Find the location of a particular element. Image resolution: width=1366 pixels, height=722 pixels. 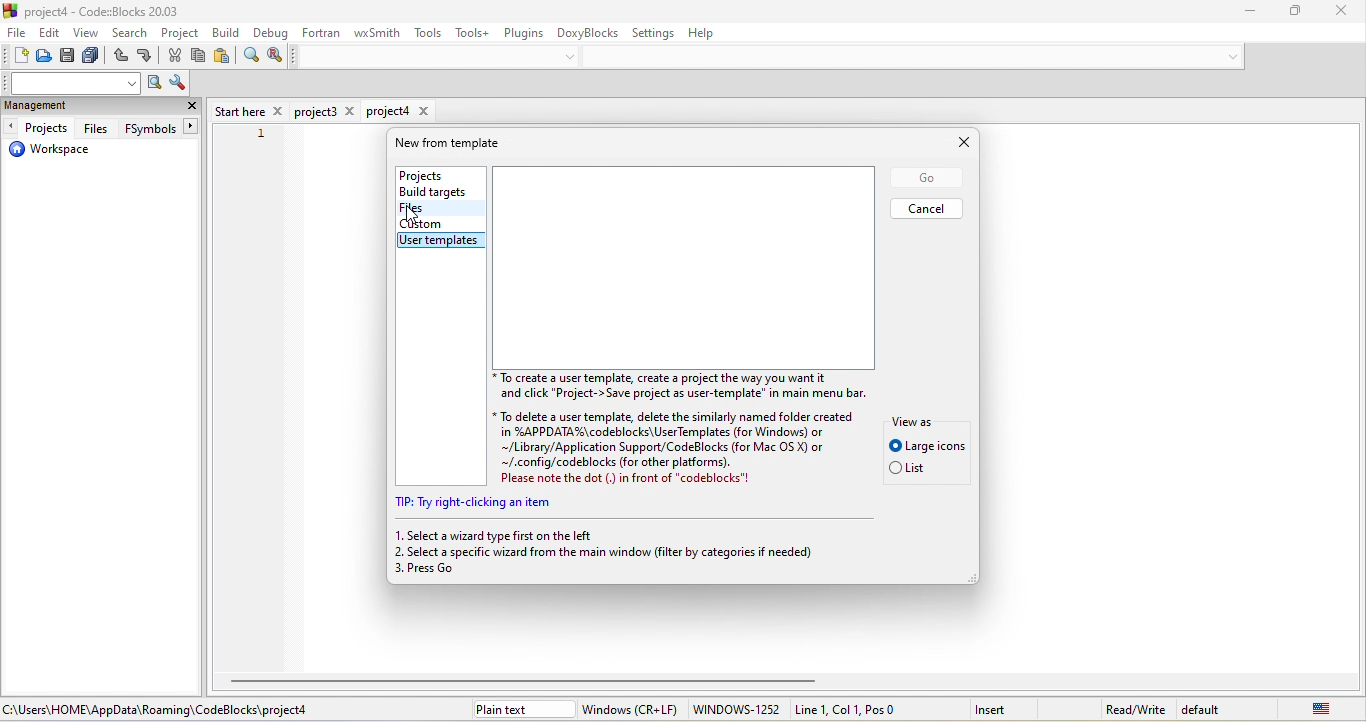

user templates is located at coordinates (444, 240).